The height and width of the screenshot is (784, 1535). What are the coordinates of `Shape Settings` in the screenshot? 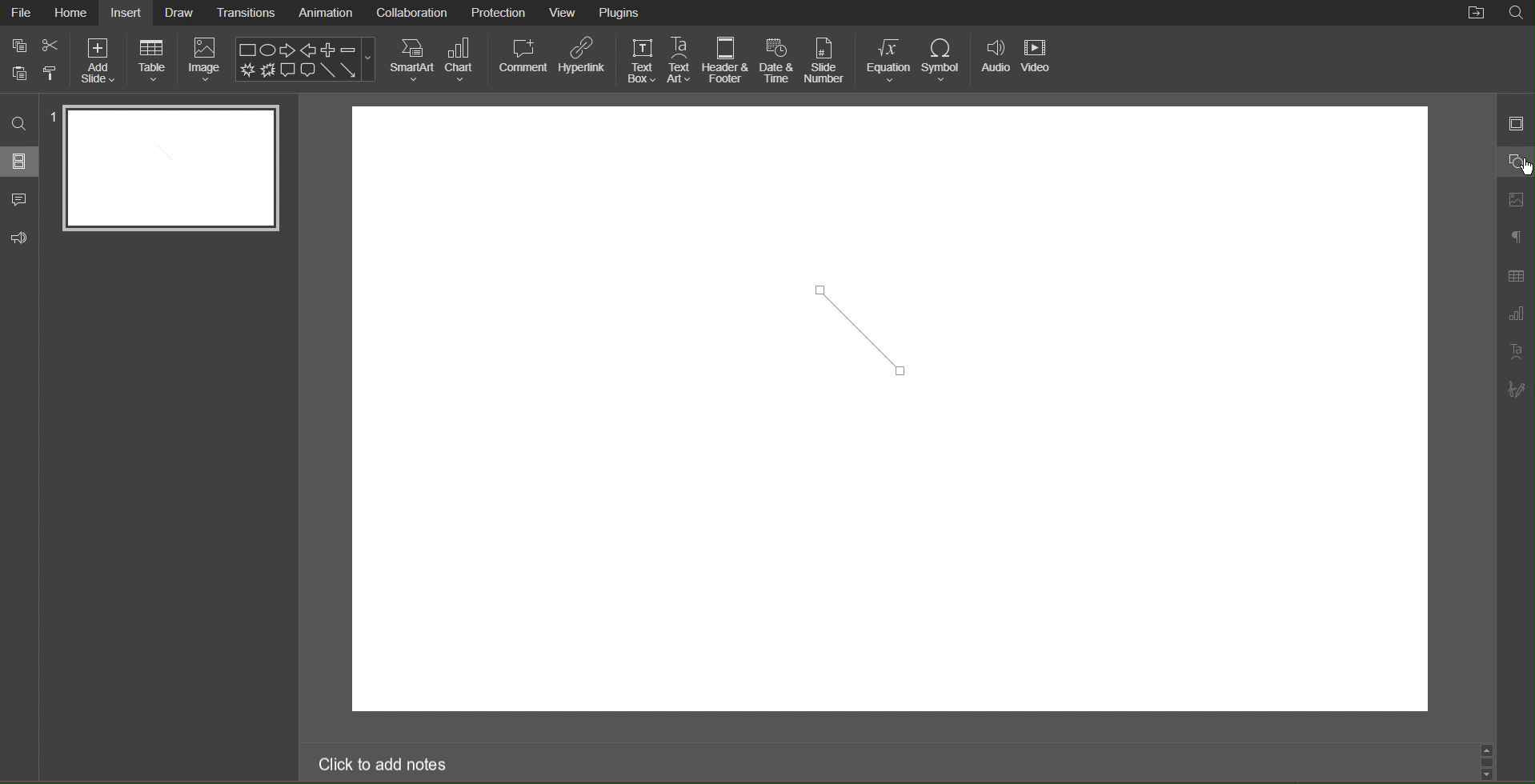 It's located at (1517, 158).